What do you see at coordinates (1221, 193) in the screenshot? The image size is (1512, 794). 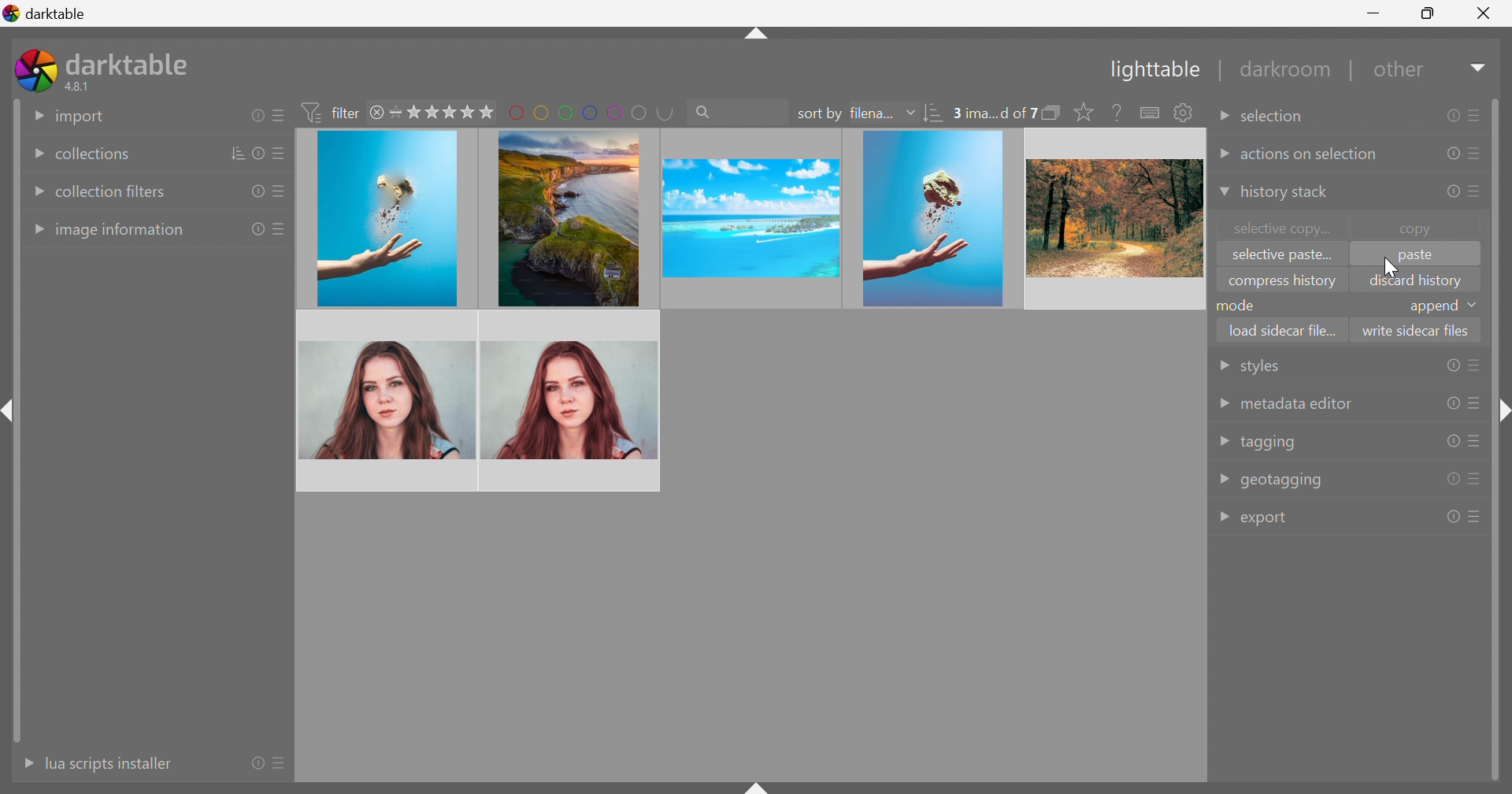 I see `Drop Down` at bounding box center [1221, 193].